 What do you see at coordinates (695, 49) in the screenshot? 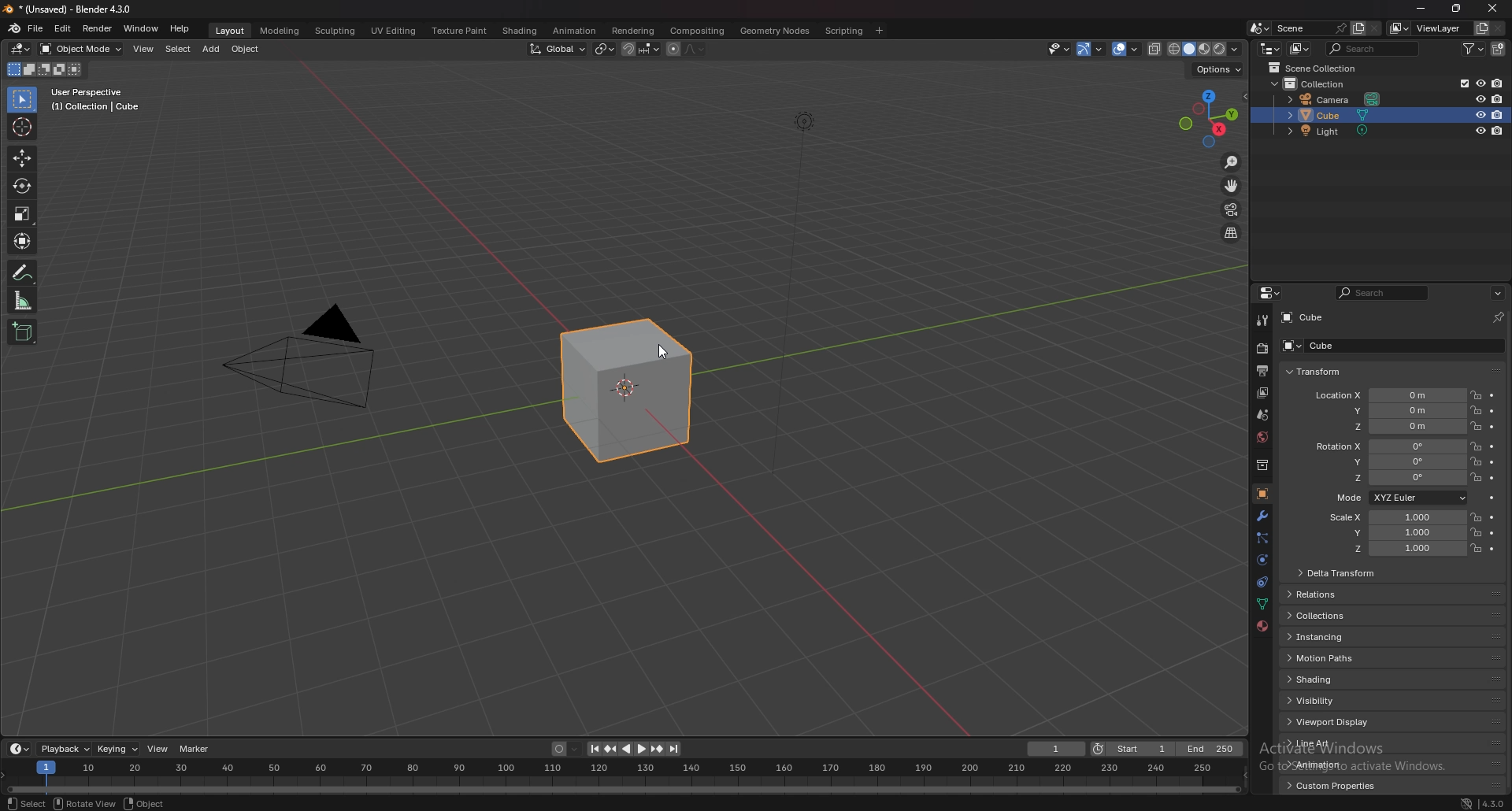
I see `proportional editing falloff` at bounding box center [695, 49].